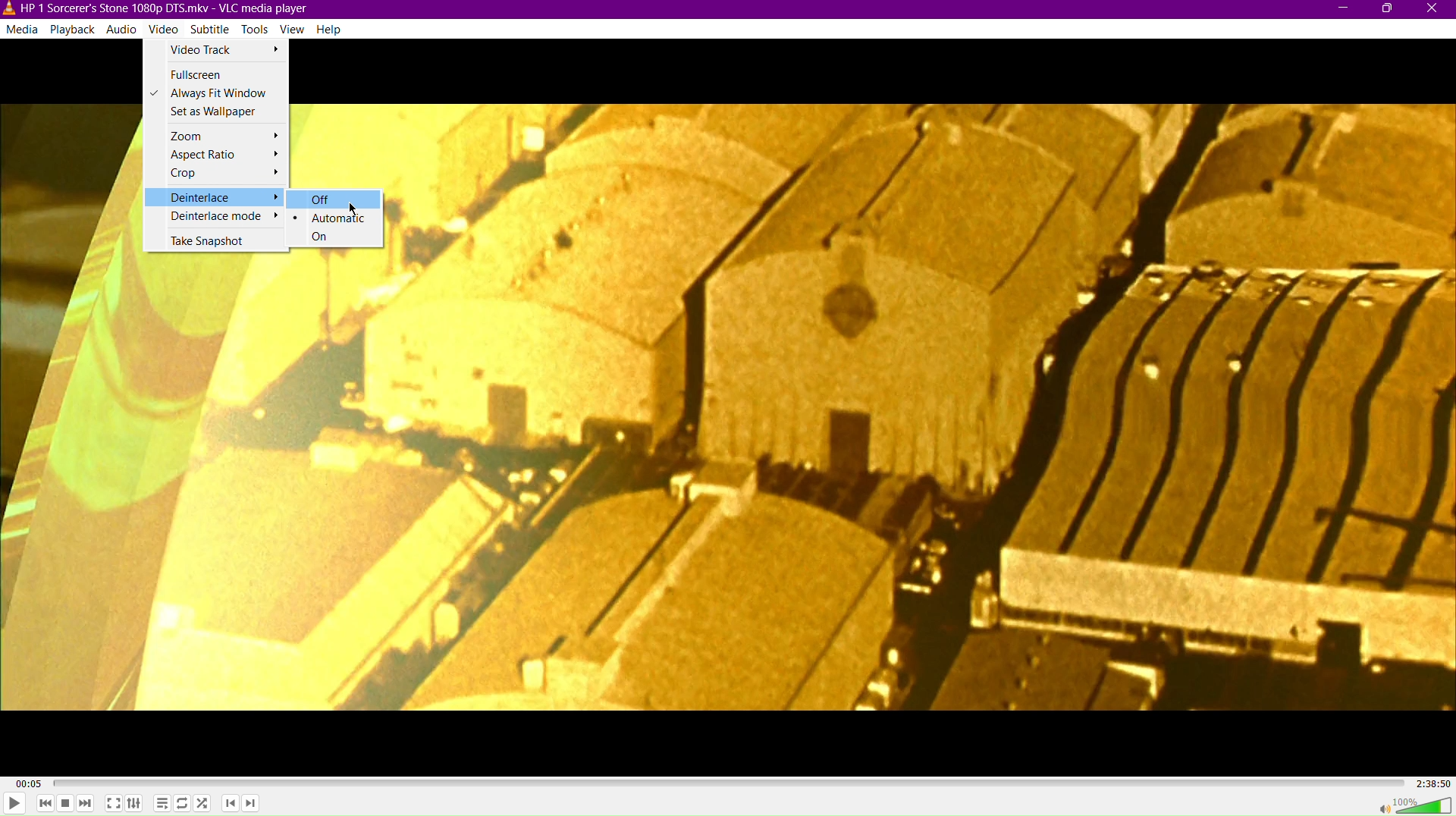  Describe the element at coordinates (231, 804) in the screenshot. I see `Previous Chapter` at that location.